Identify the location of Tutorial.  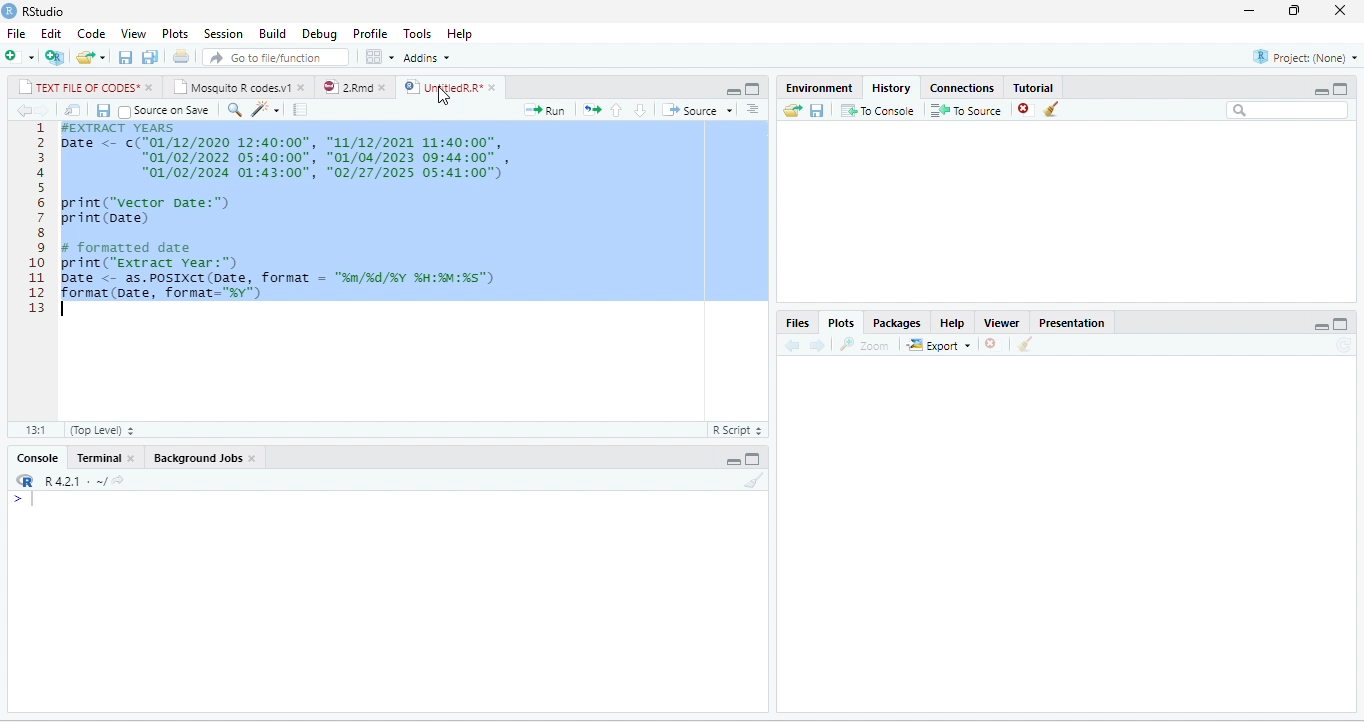
(1034, 88).